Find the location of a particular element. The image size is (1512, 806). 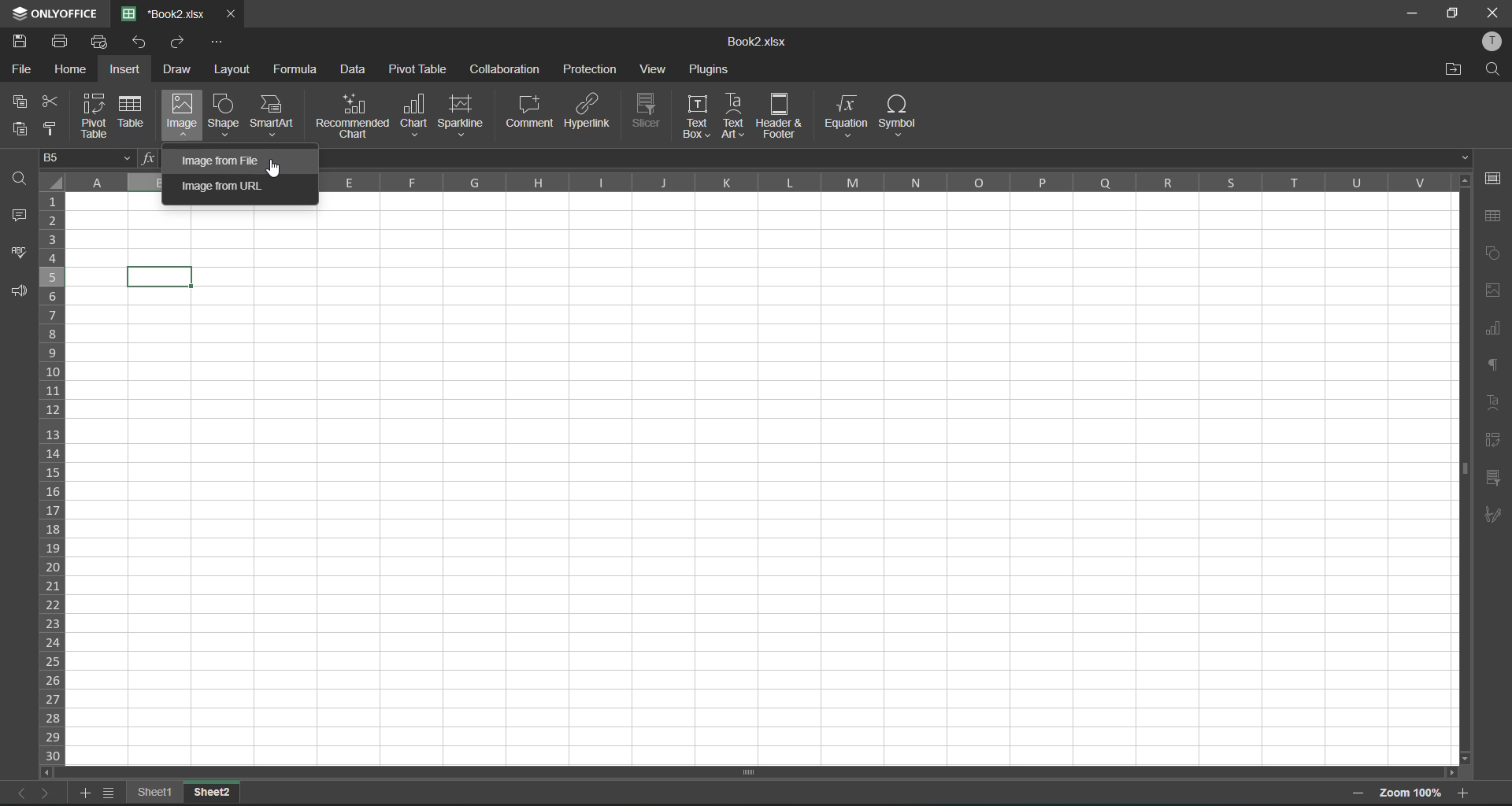

next is located at coordinates (48, 792).